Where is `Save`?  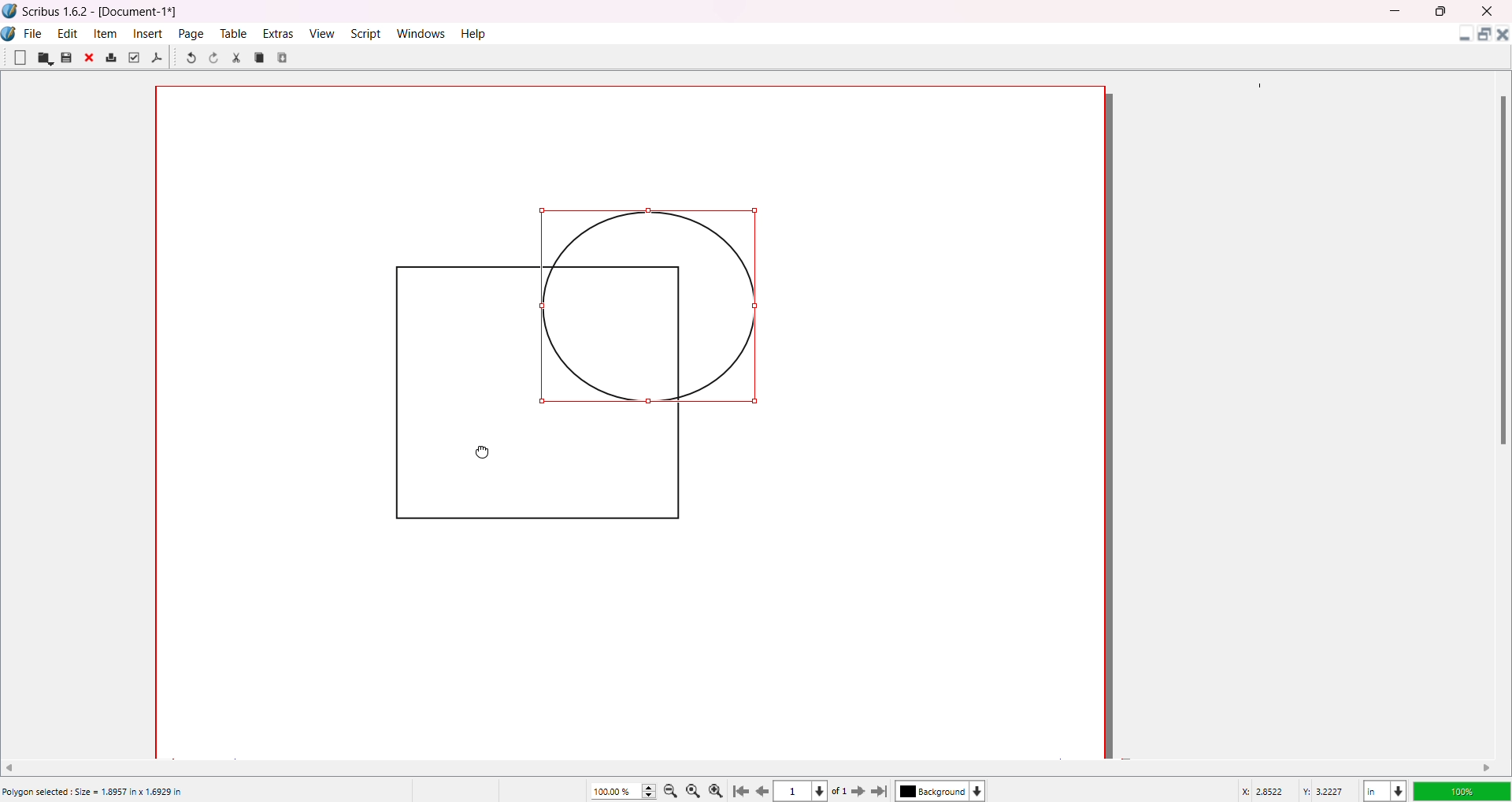
Save is located at coordinates (66, 58).